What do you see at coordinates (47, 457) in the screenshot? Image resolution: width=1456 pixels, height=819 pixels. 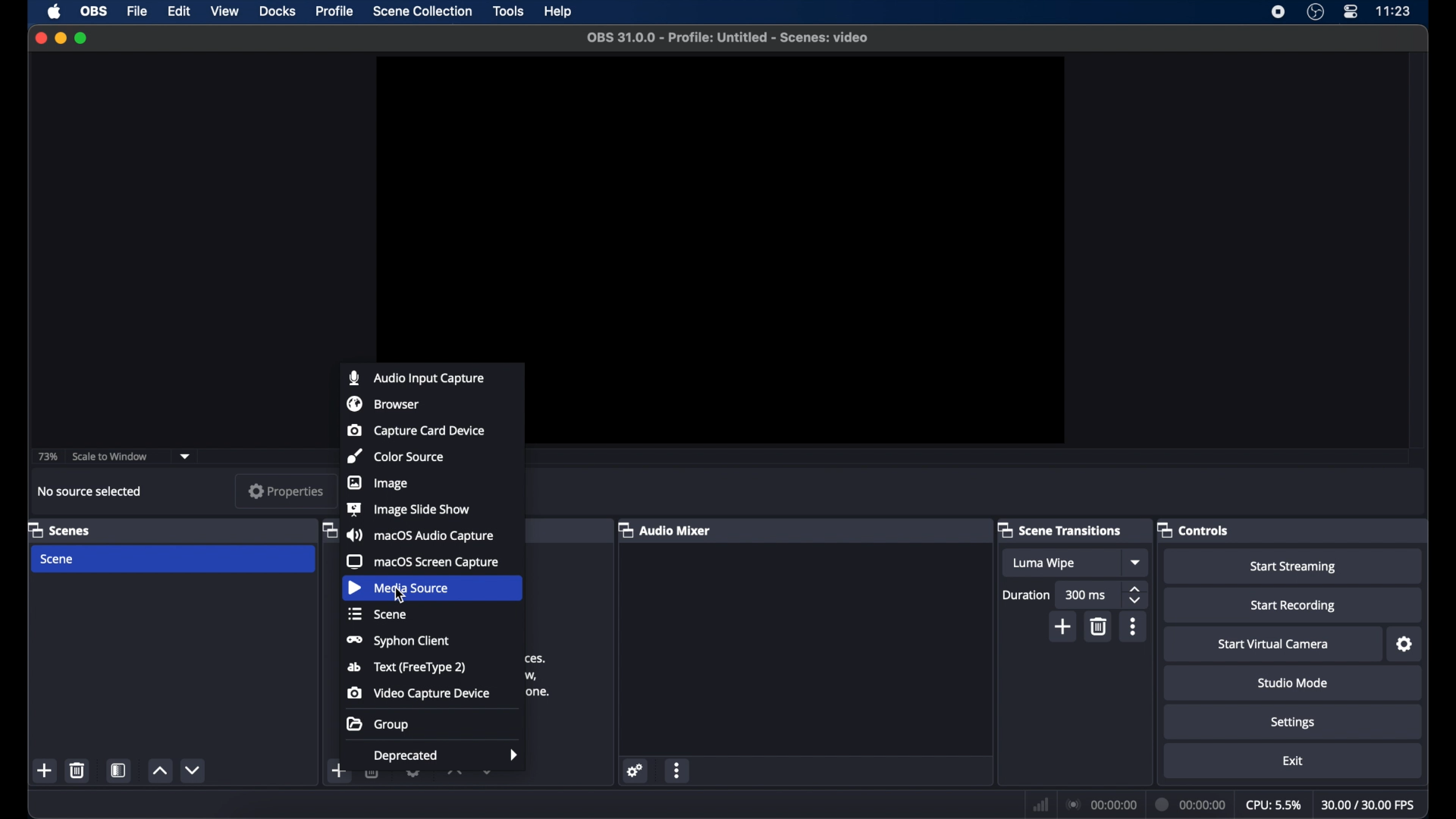 I see `73%` at bounding box center [47, 457].